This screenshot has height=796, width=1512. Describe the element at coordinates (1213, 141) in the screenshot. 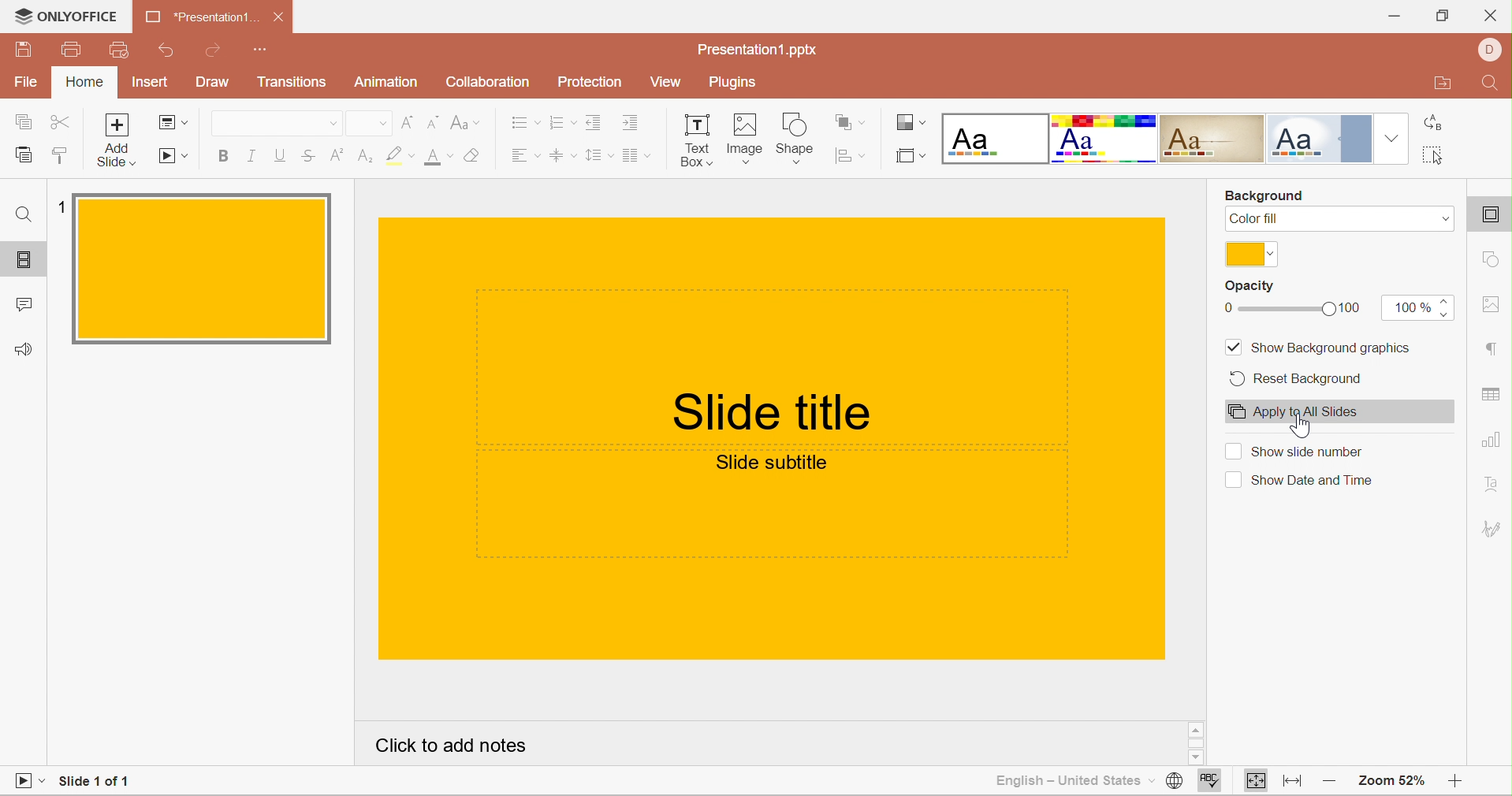

I see `Classic` at that location.